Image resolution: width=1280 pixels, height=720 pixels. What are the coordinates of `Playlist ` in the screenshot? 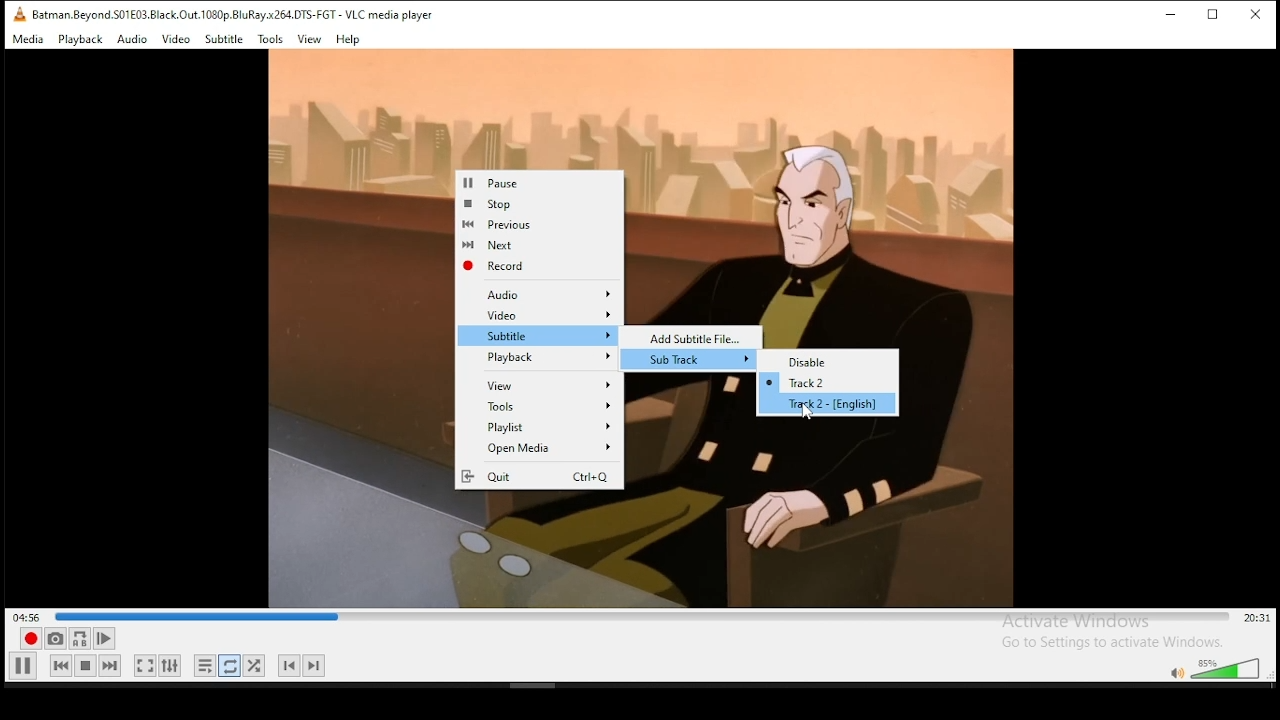 It's located at (543, 429).